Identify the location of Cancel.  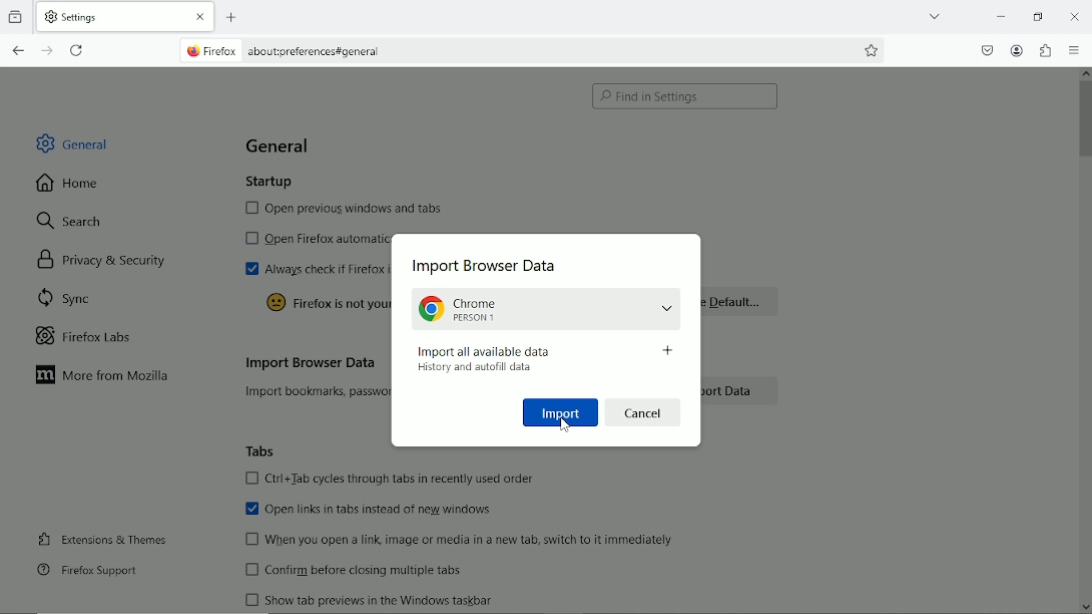
(644, 413).